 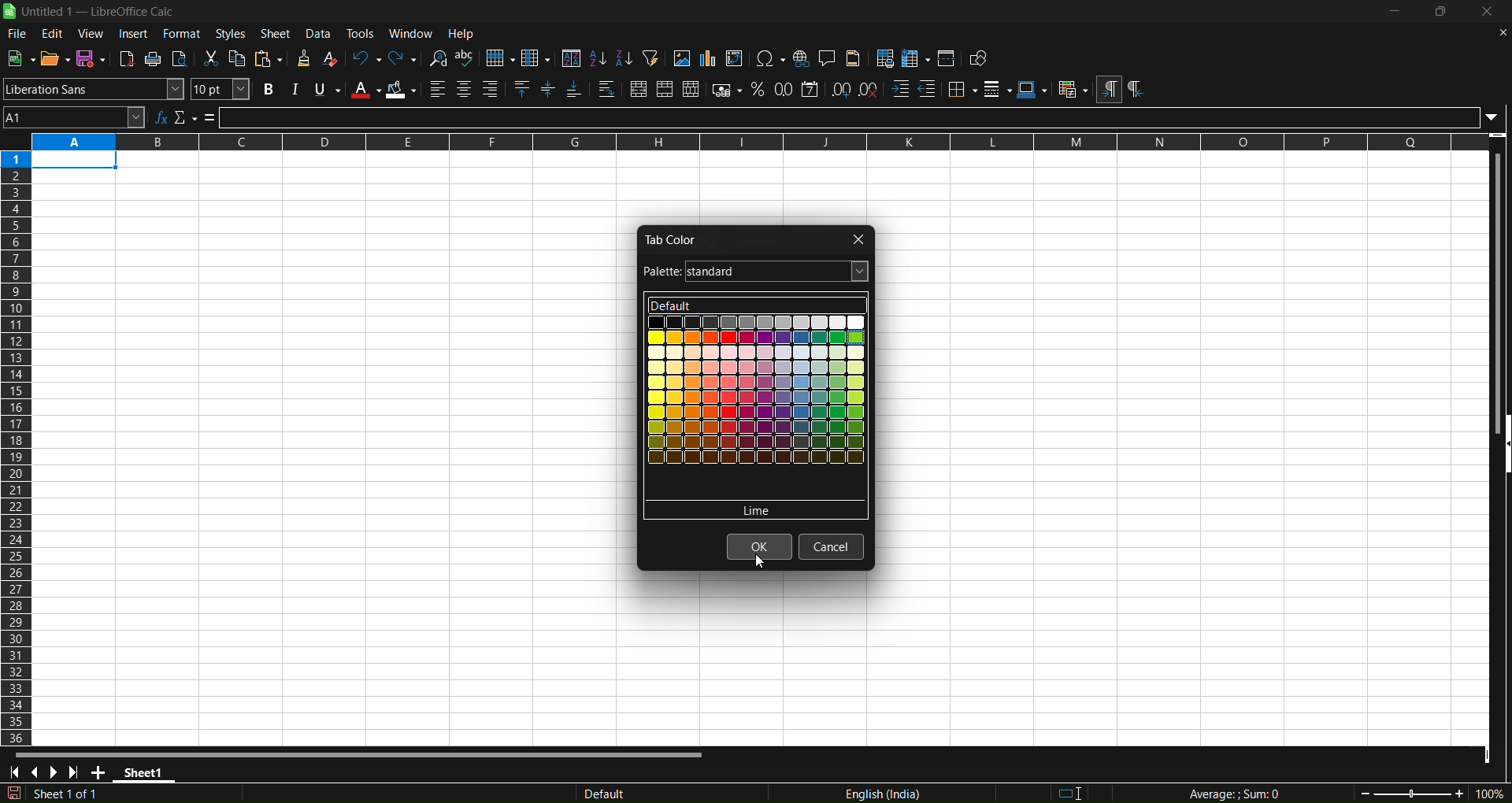 What do you see at coordinates (747, 142) in the screenshot?
I see `rows` at bounding box center [747, 142].